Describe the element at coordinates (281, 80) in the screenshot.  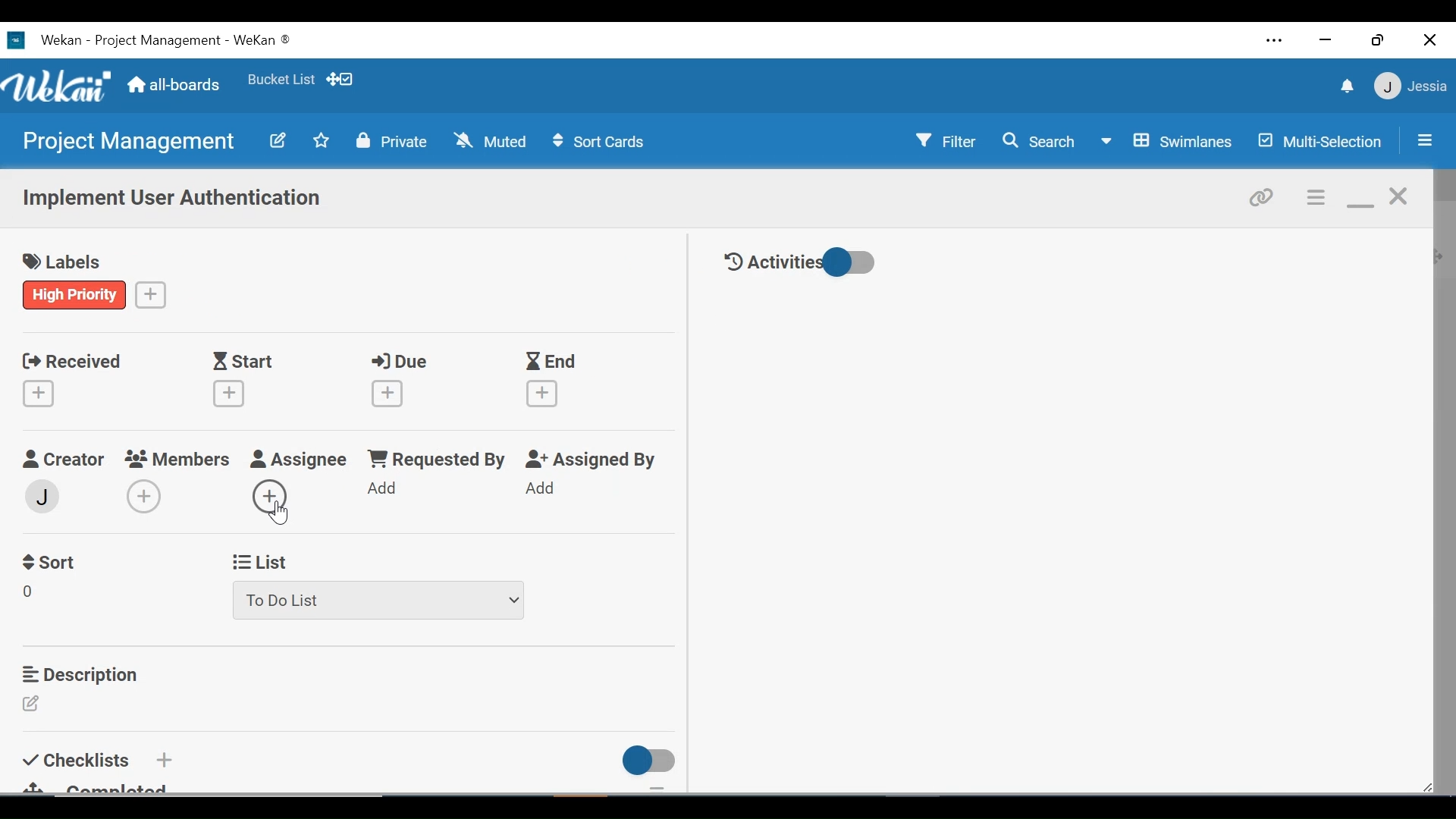
I see `bucket list` at that location.